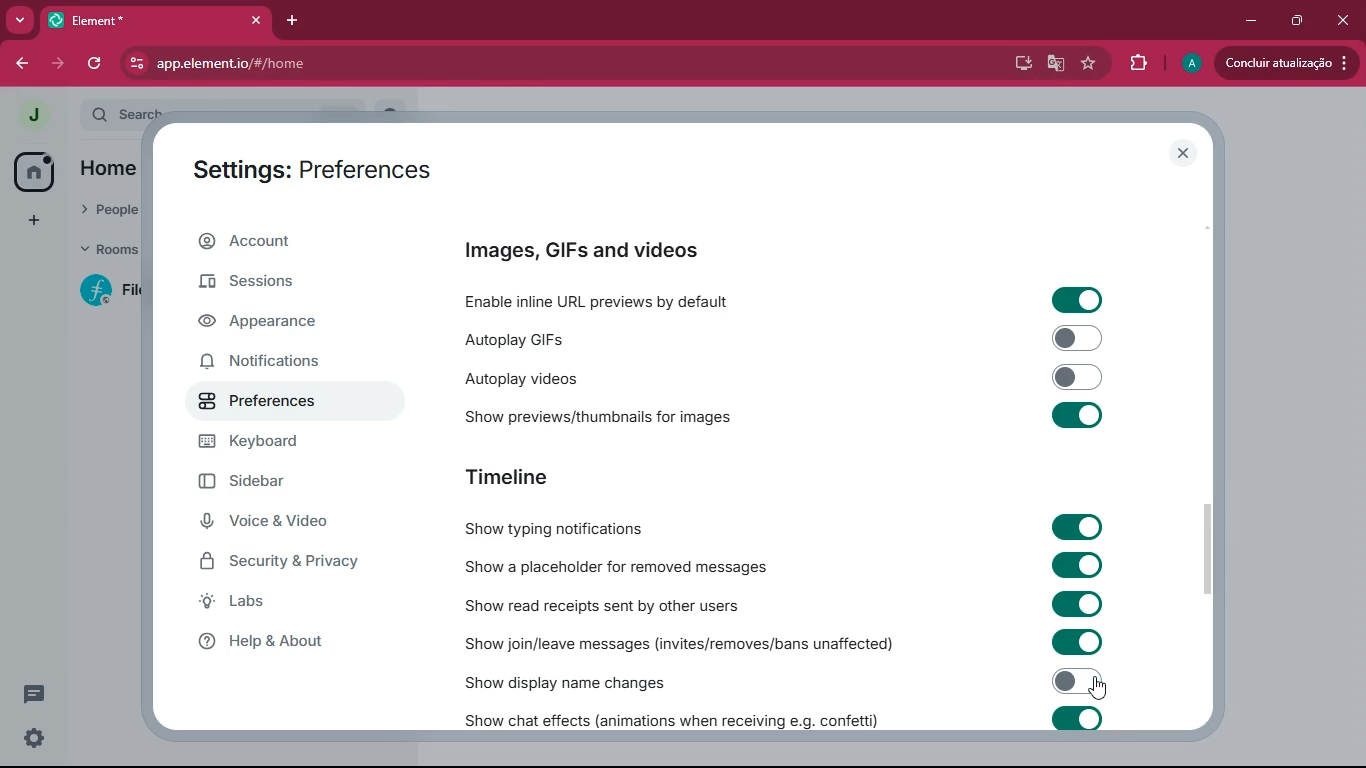 The height and width of the screenshot is (768, 1366). Describe the element at coordinates (669, 718) in the screenshot. I see `show chat effects (animations when receiving e.g. confetti)` at that location.